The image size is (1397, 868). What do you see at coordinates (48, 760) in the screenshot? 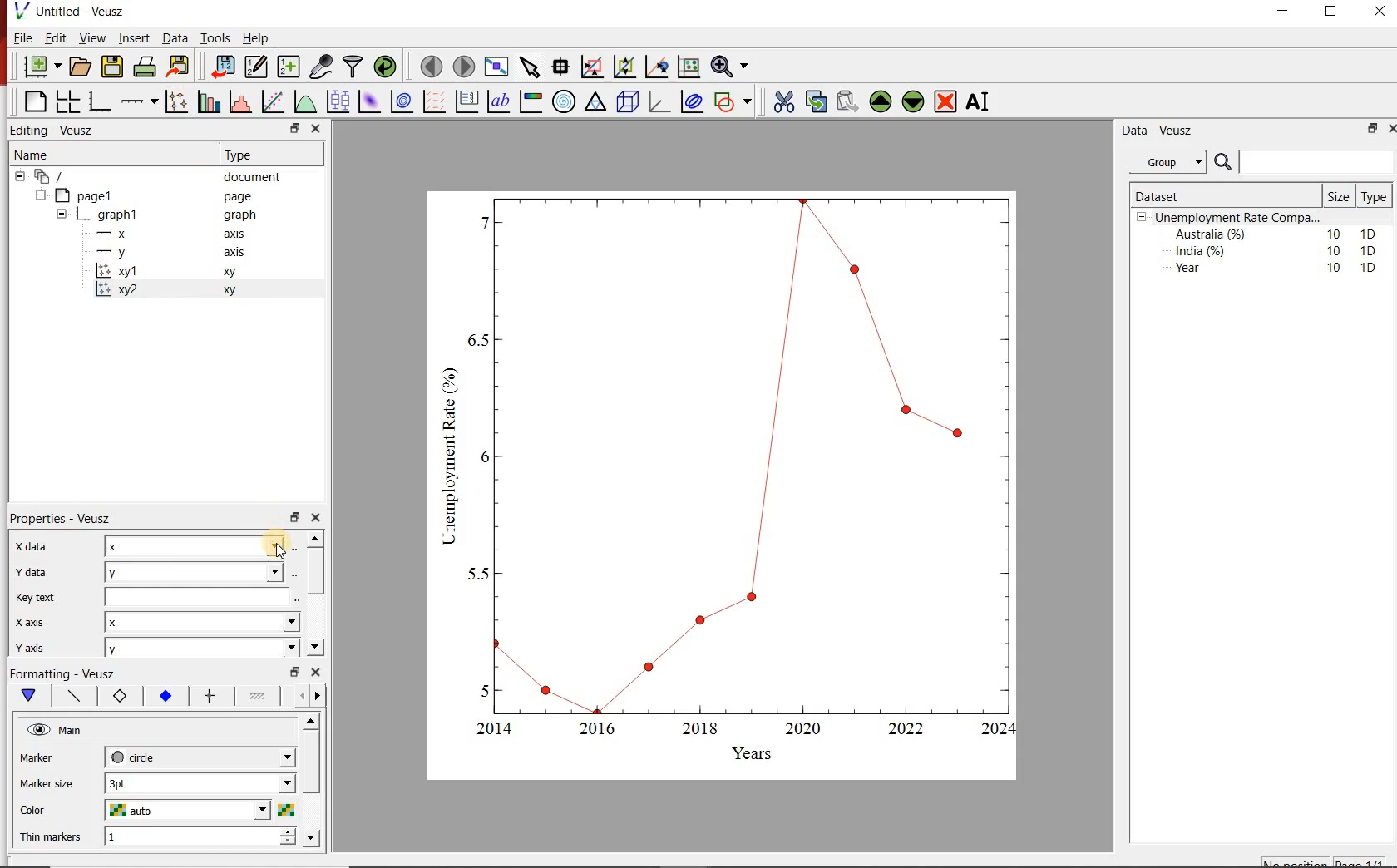
I see `MArker` at bounding box center [48, 760].